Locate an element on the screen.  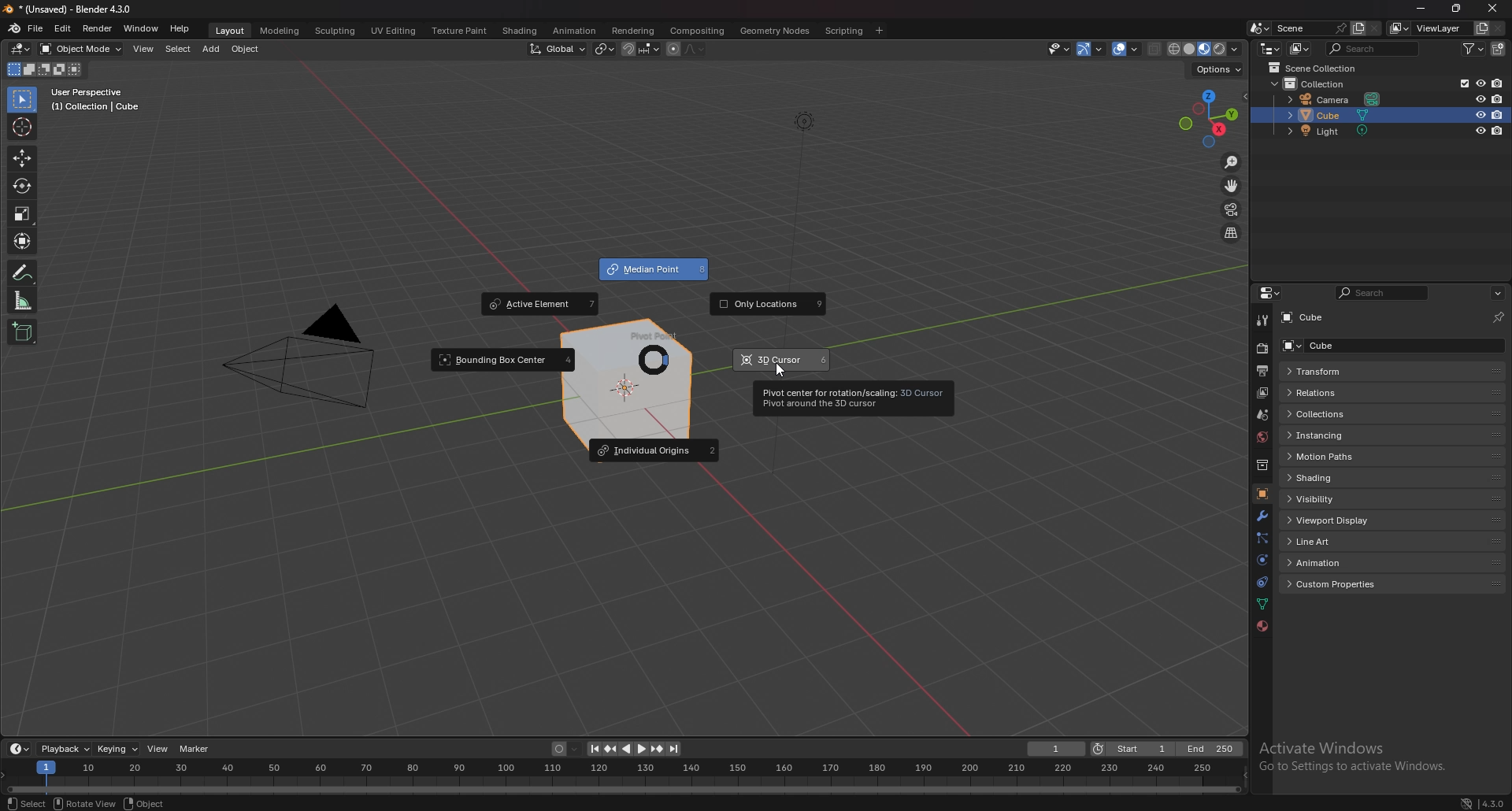
material is located at coordinates (1260, 627).